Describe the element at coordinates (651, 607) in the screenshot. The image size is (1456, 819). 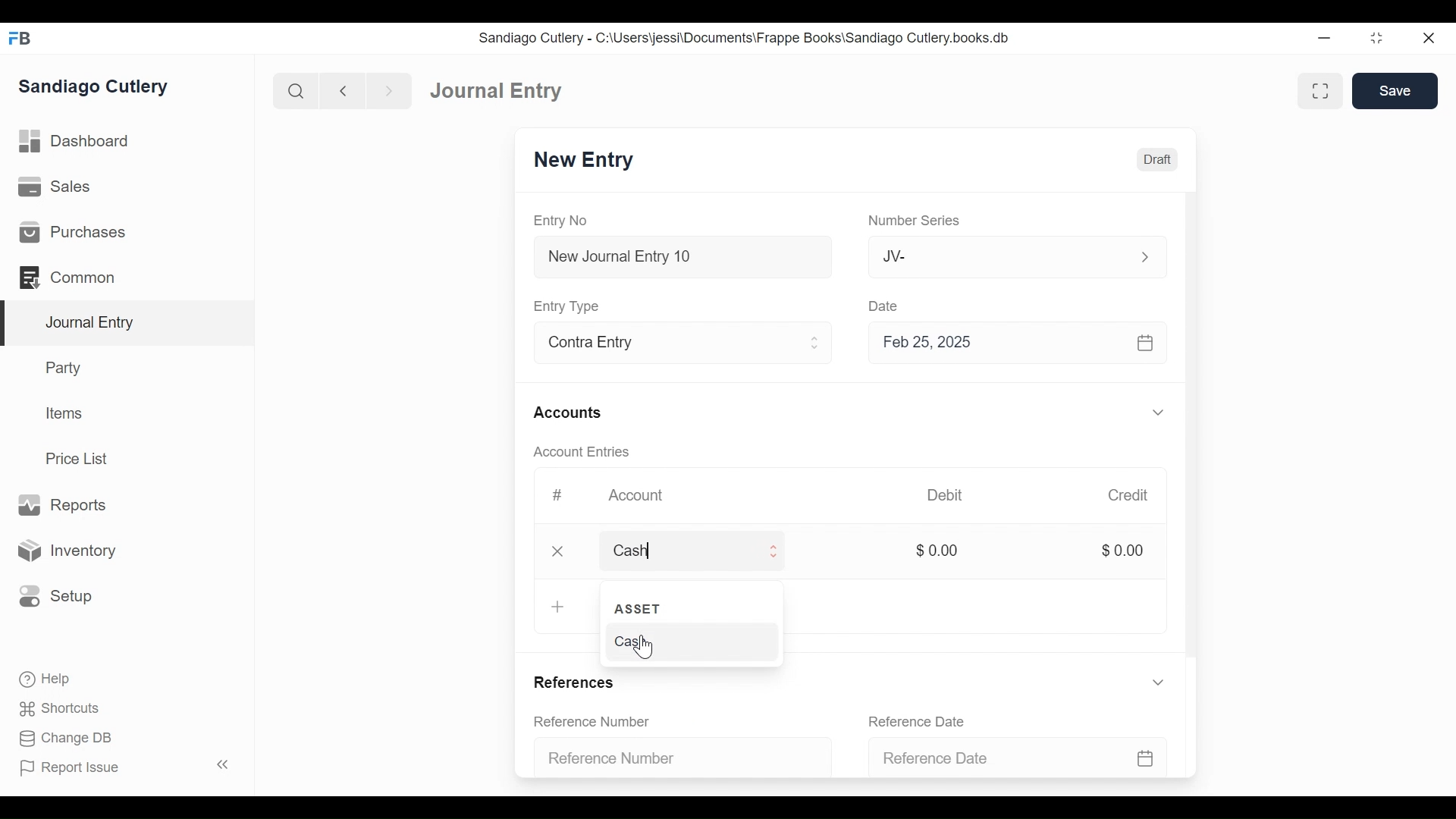
I see `Add Row` at that location.